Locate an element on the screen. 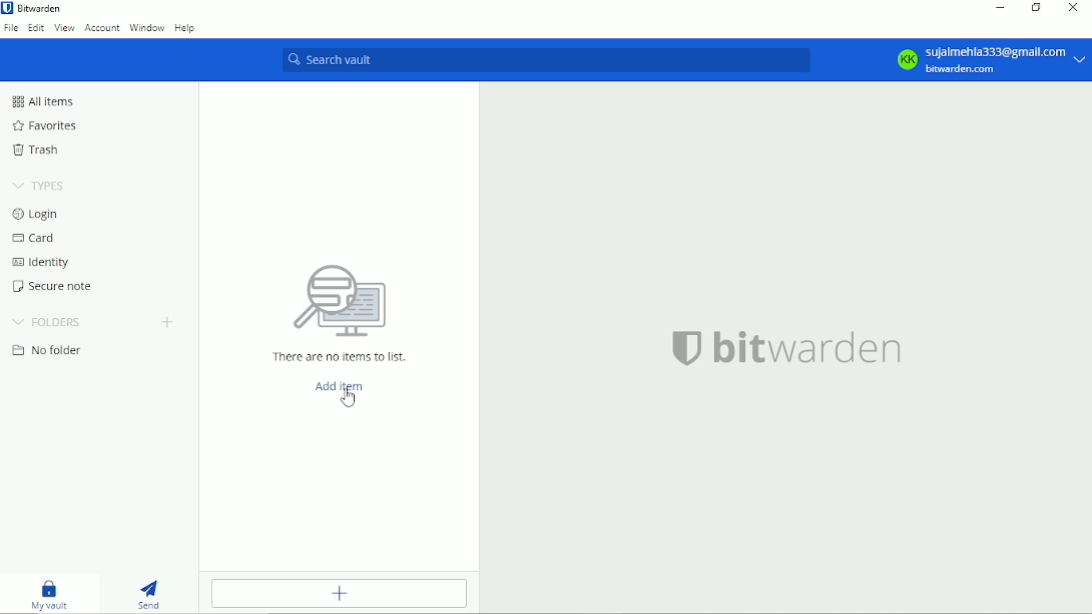 The image size is (1092, 614). All items is located at coordinates (45, 101).